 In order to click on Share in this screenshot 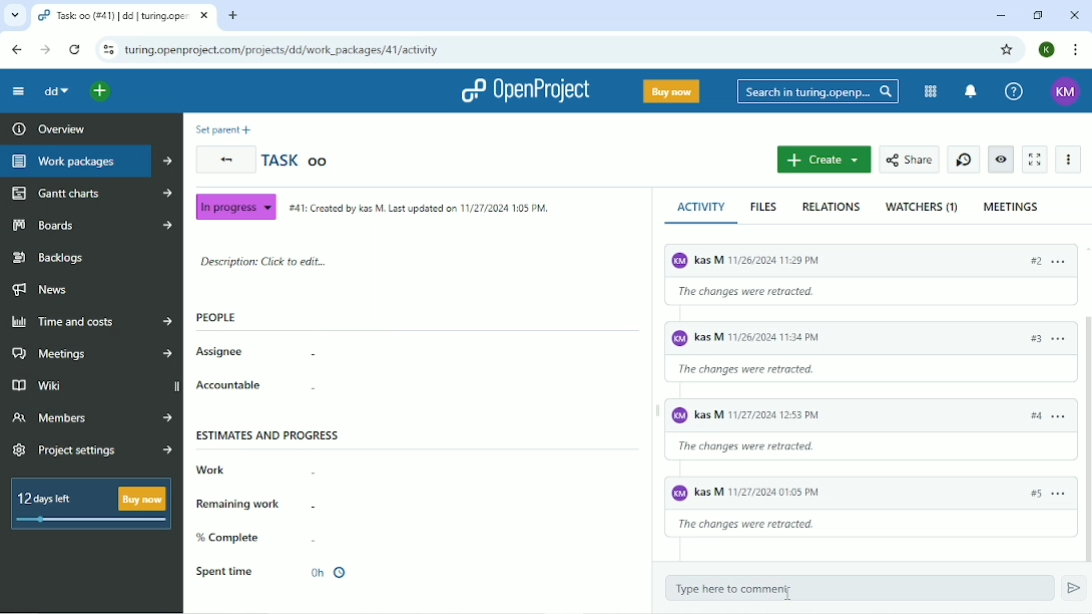, I will do `click(910, 159)`.